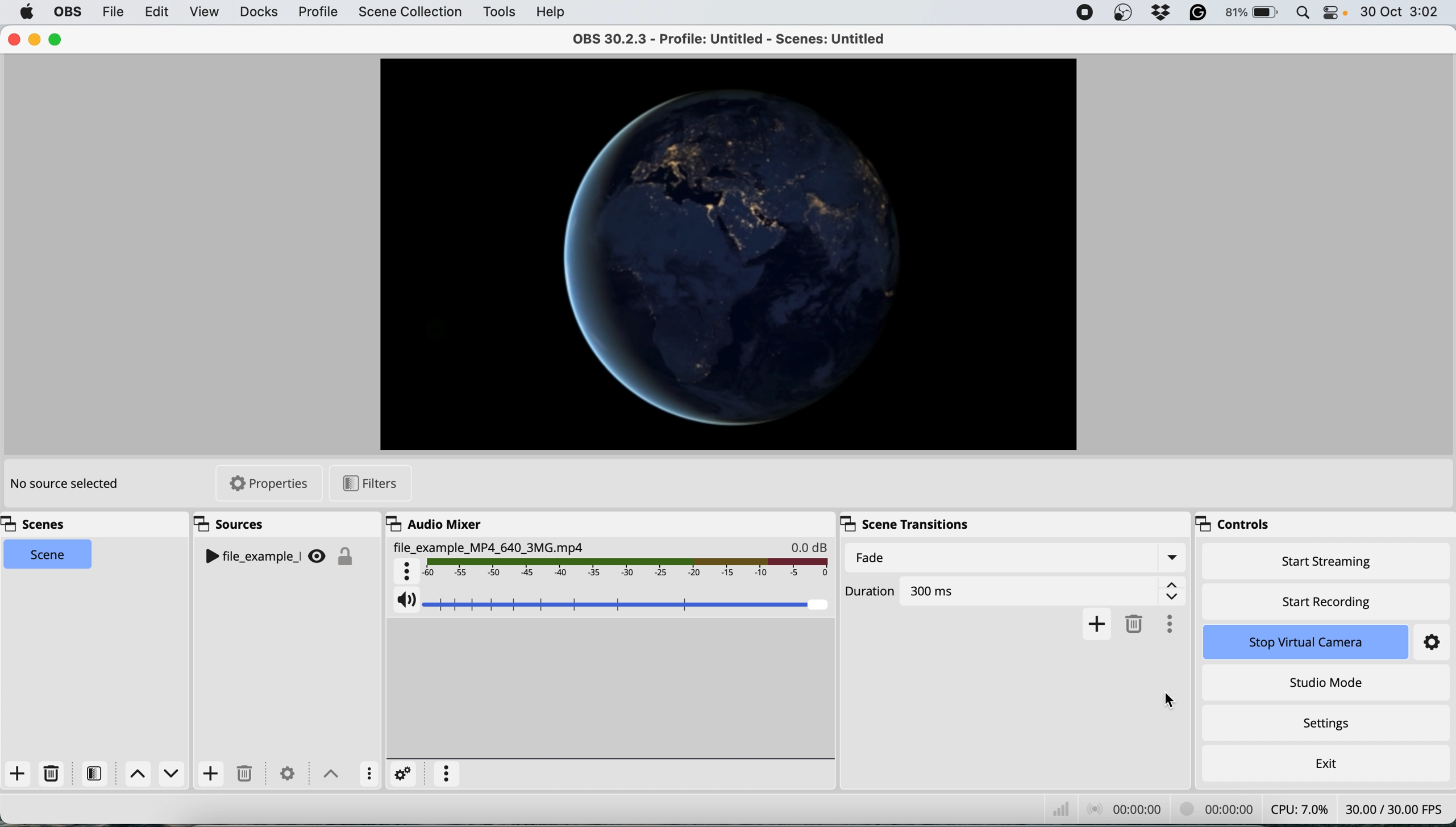 The image size is (1456, 827). Describe the element at coordinates (40, 523) in the screenshot. I see `scenes` at that location.